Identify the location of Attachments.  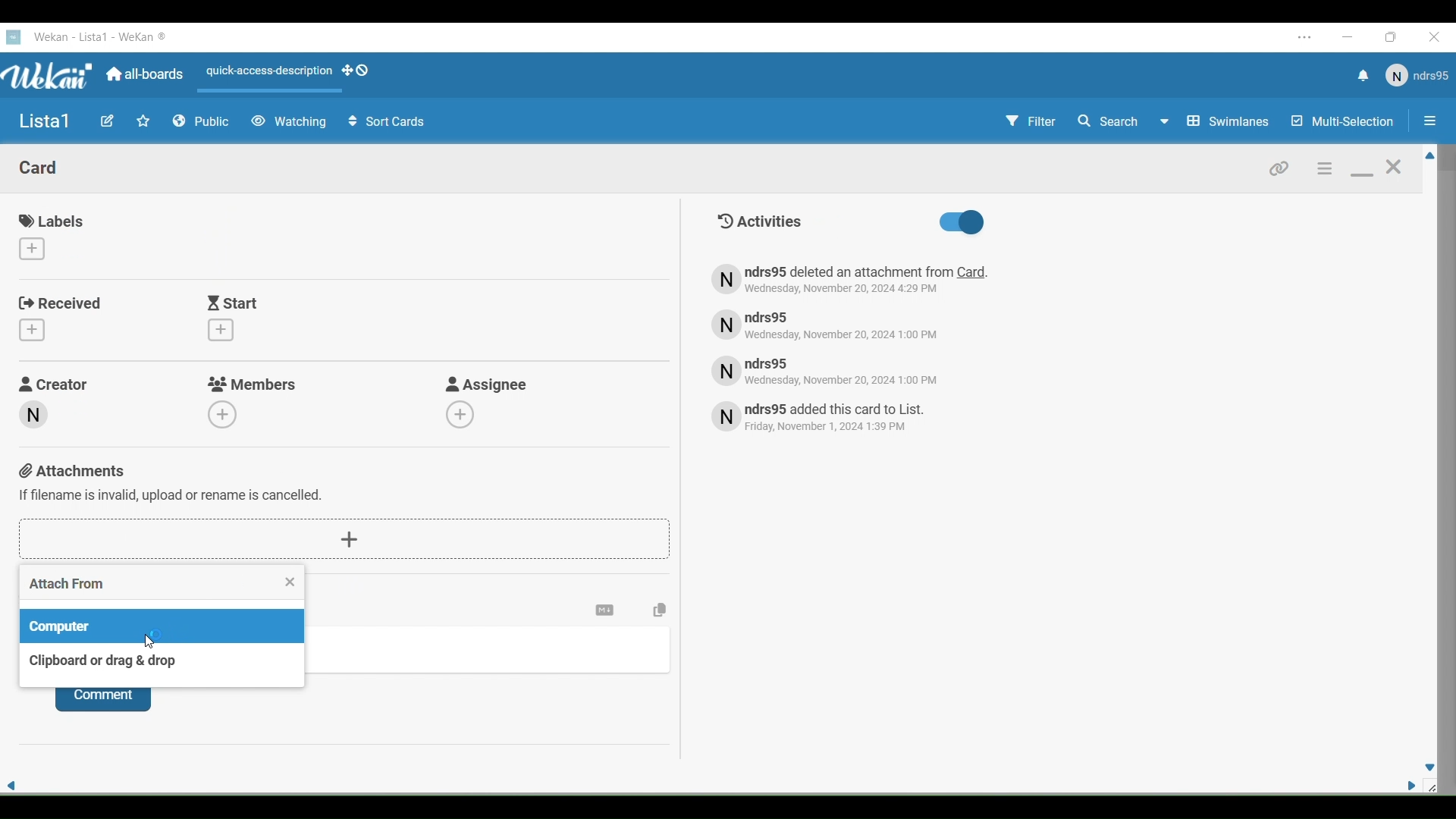
(173, 482).